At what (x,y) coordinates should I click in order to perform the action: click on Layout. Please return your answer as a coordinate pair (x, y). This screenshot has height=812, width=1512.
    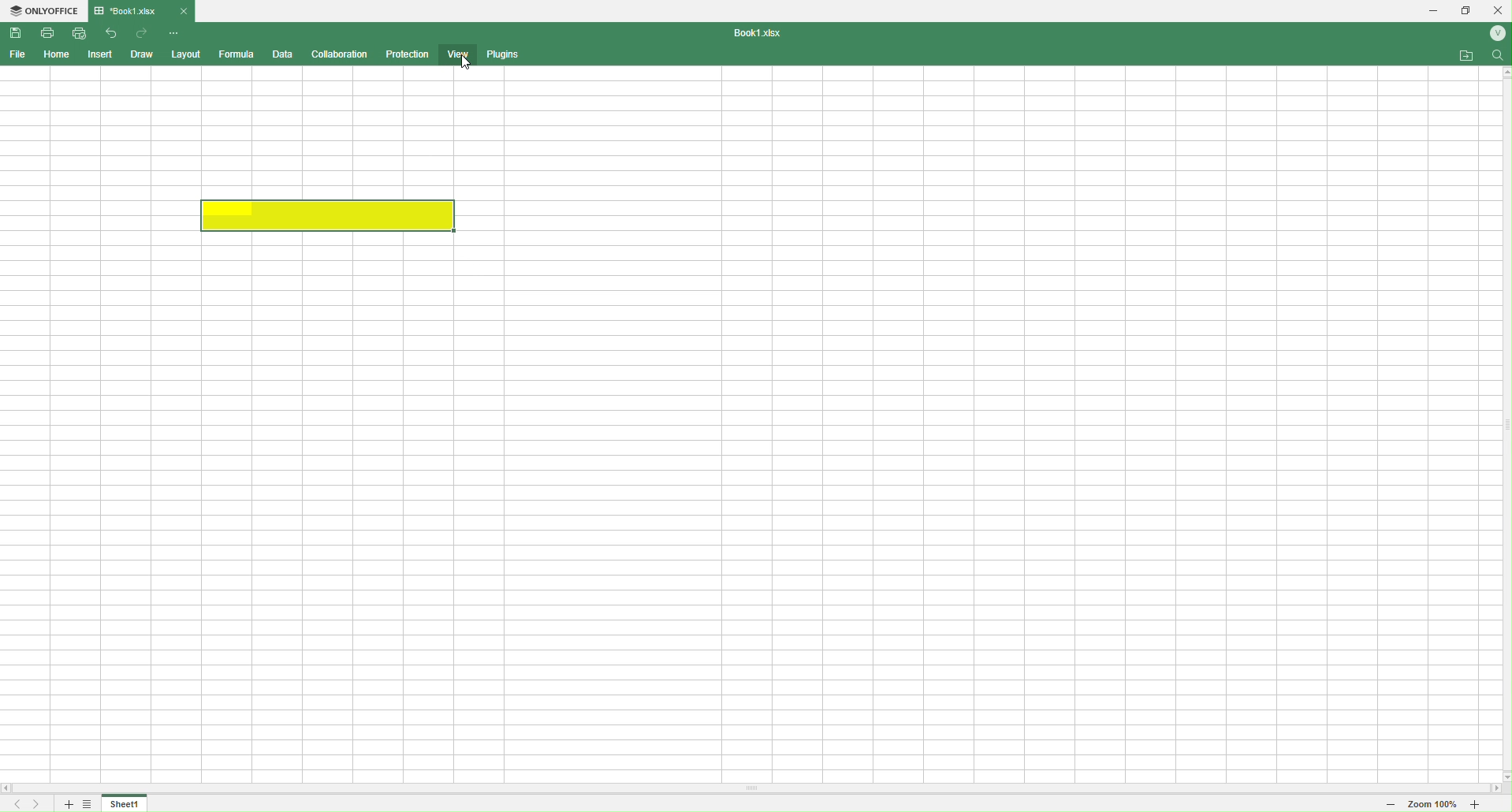
    Looking at the image, I should click on (185, 55).